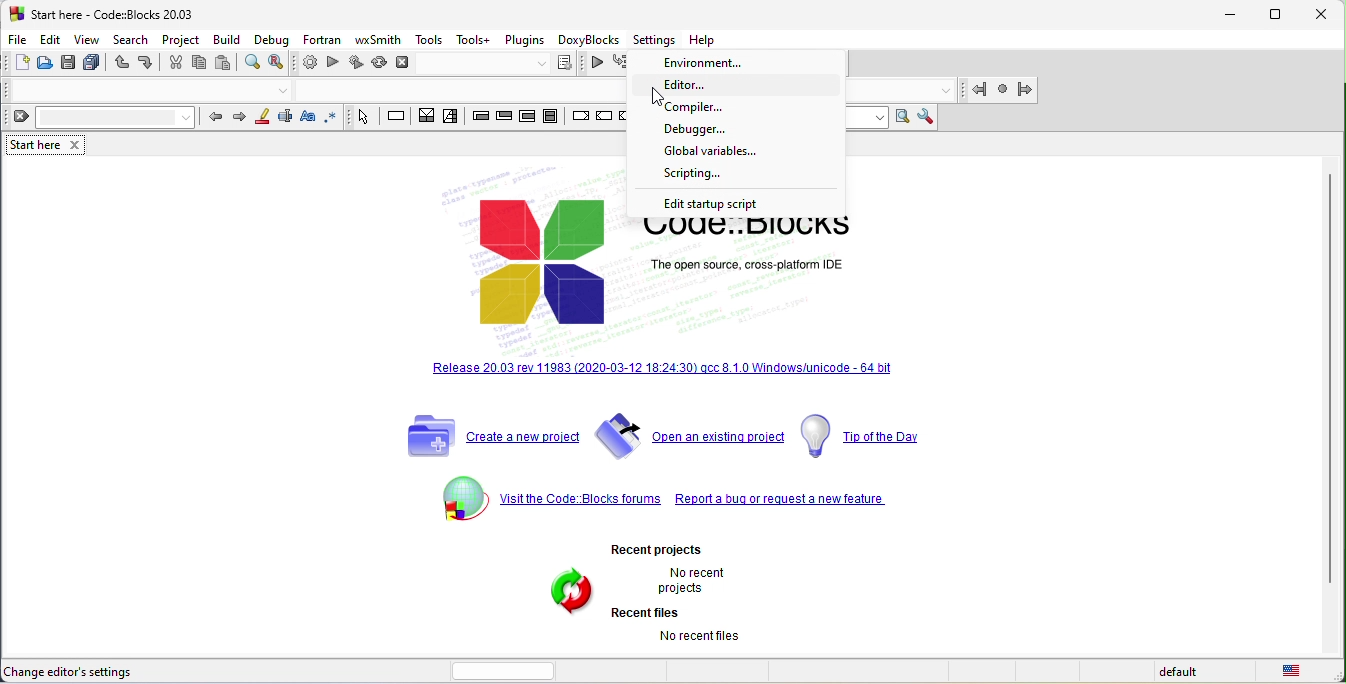 This screenshot has width=1346, height=684. I want to click on continue, so click(601, 66).